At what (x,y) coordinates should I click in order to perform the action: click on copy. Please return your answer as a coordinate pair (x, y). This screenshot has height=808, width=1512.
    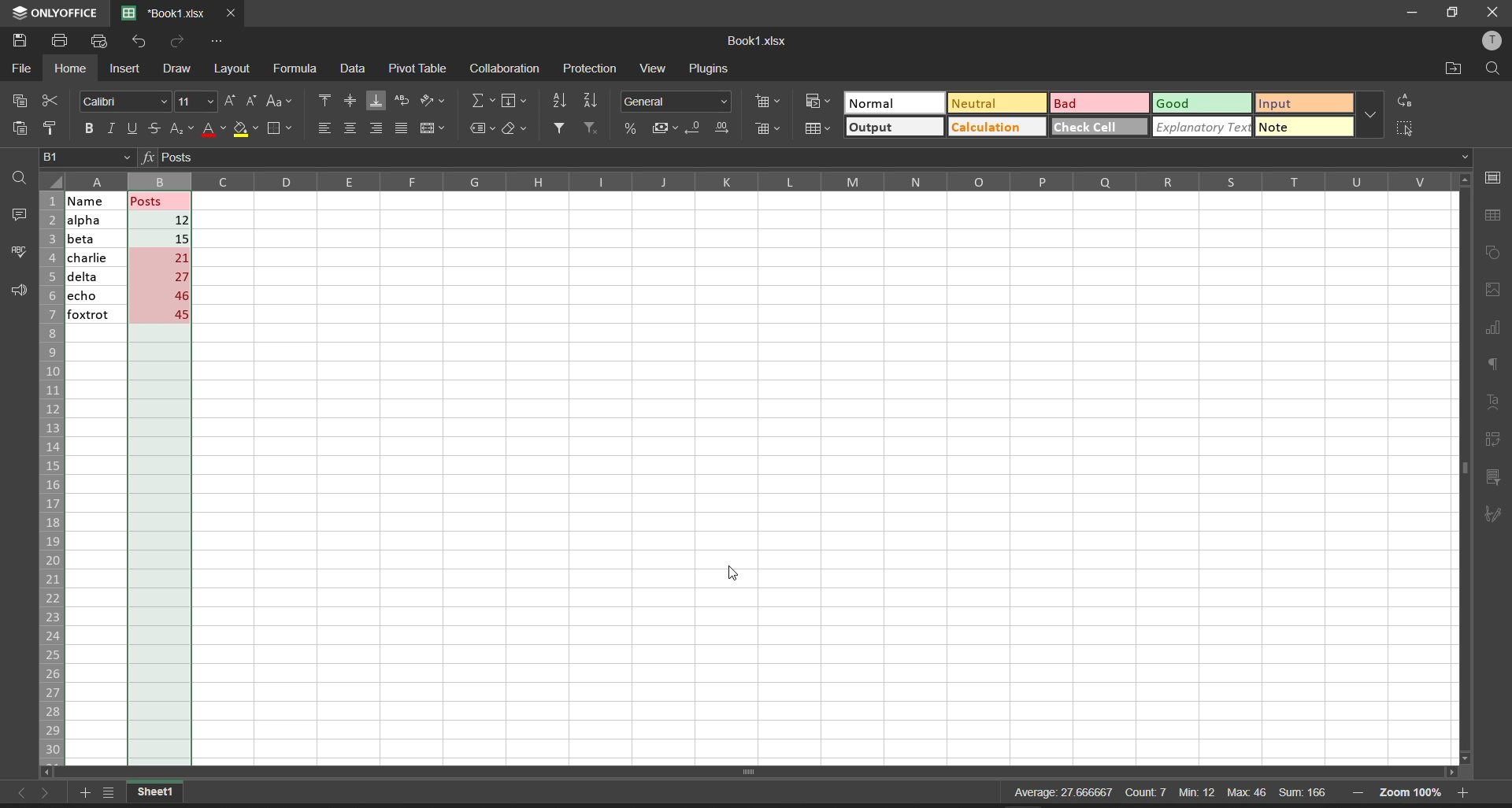
    Looking at the image, I should click on (14, 102).